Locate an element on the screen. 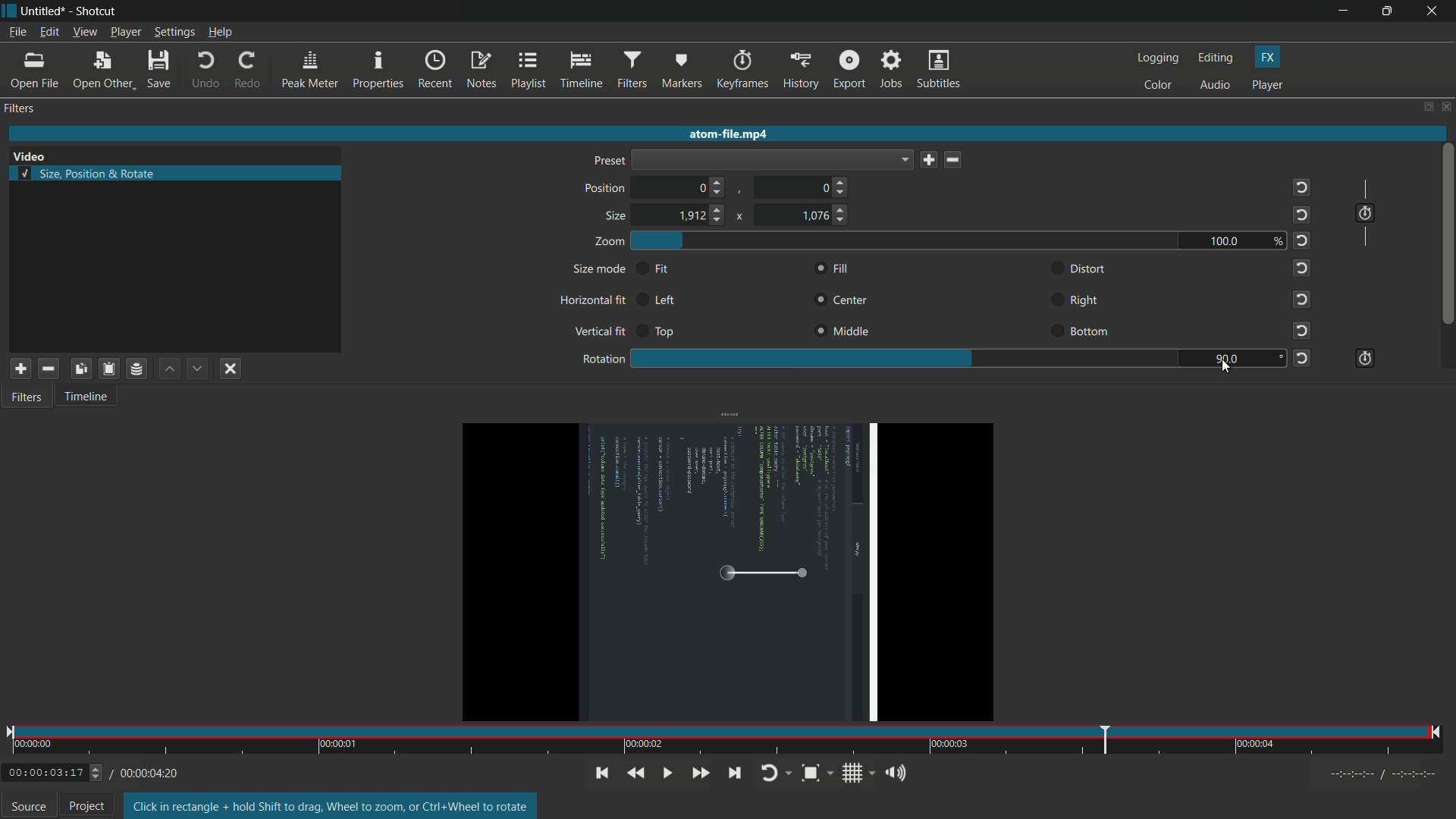  move filter up is located at coordinates (170, 369).